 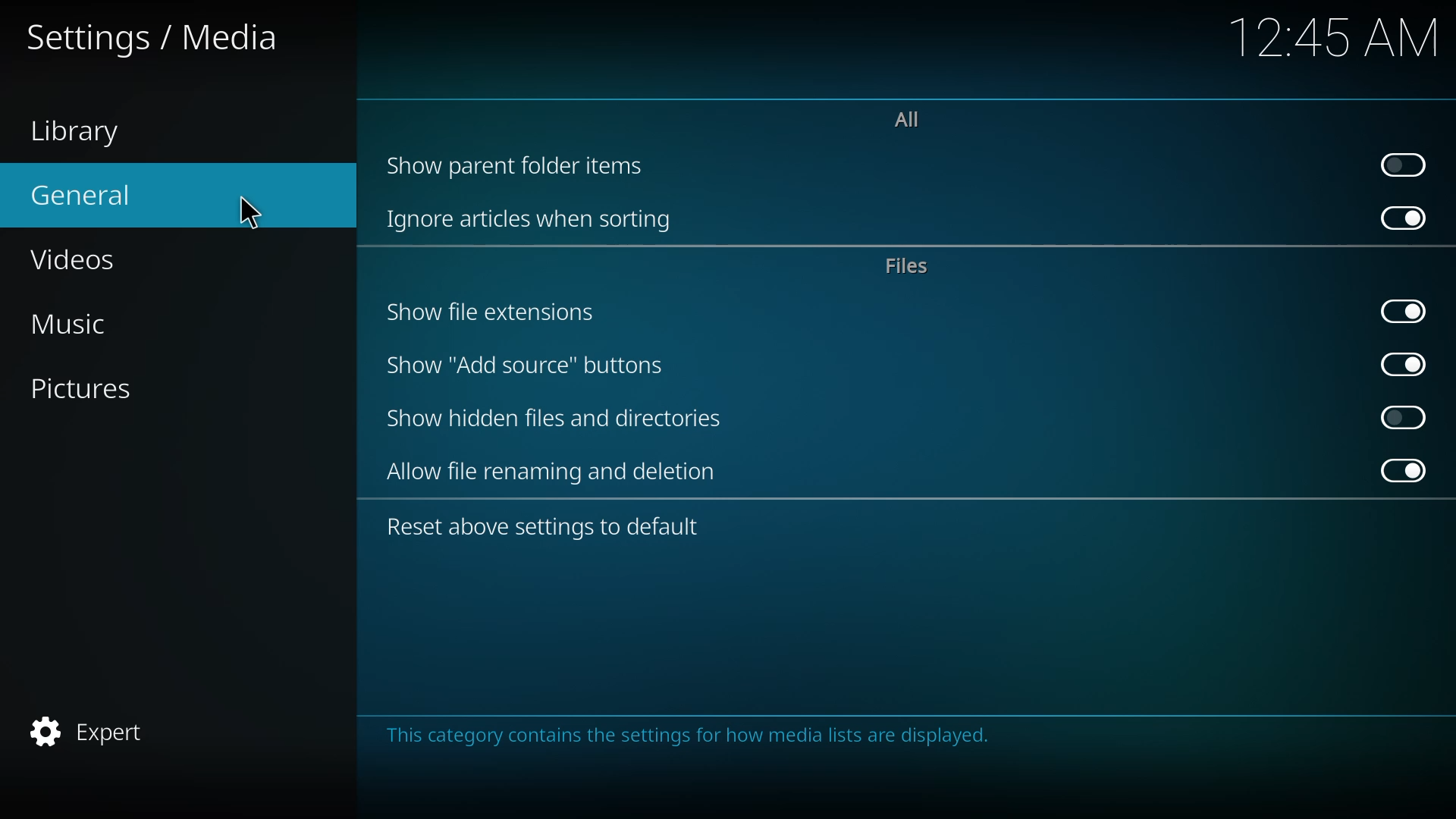 What do you see at coordinates (89, 193) in the screenshot?
I see `general` at bounding box center [89, 193].